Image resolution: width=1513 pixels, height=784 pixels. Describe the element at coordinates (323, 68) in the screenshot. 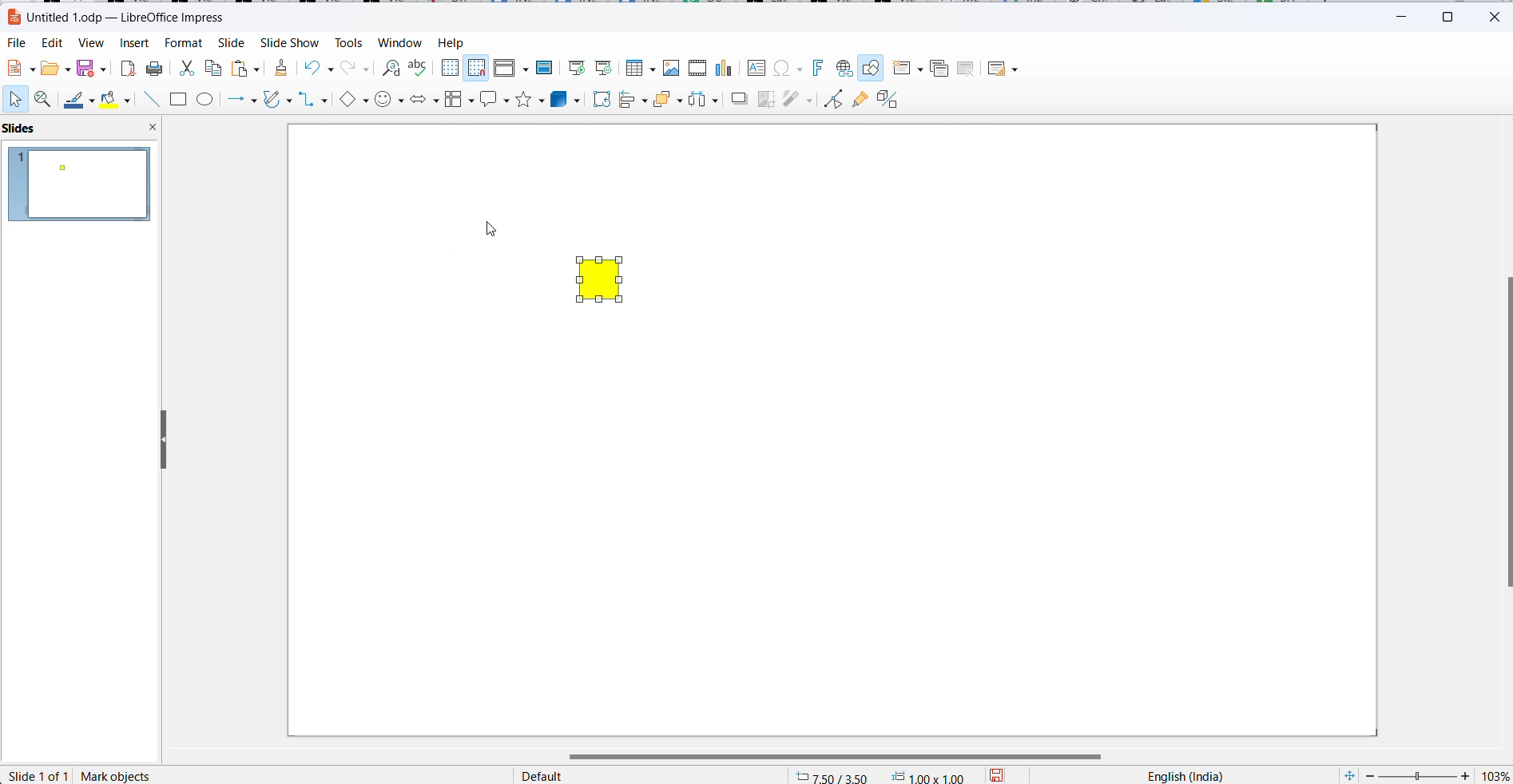

I see `undo` at that location.